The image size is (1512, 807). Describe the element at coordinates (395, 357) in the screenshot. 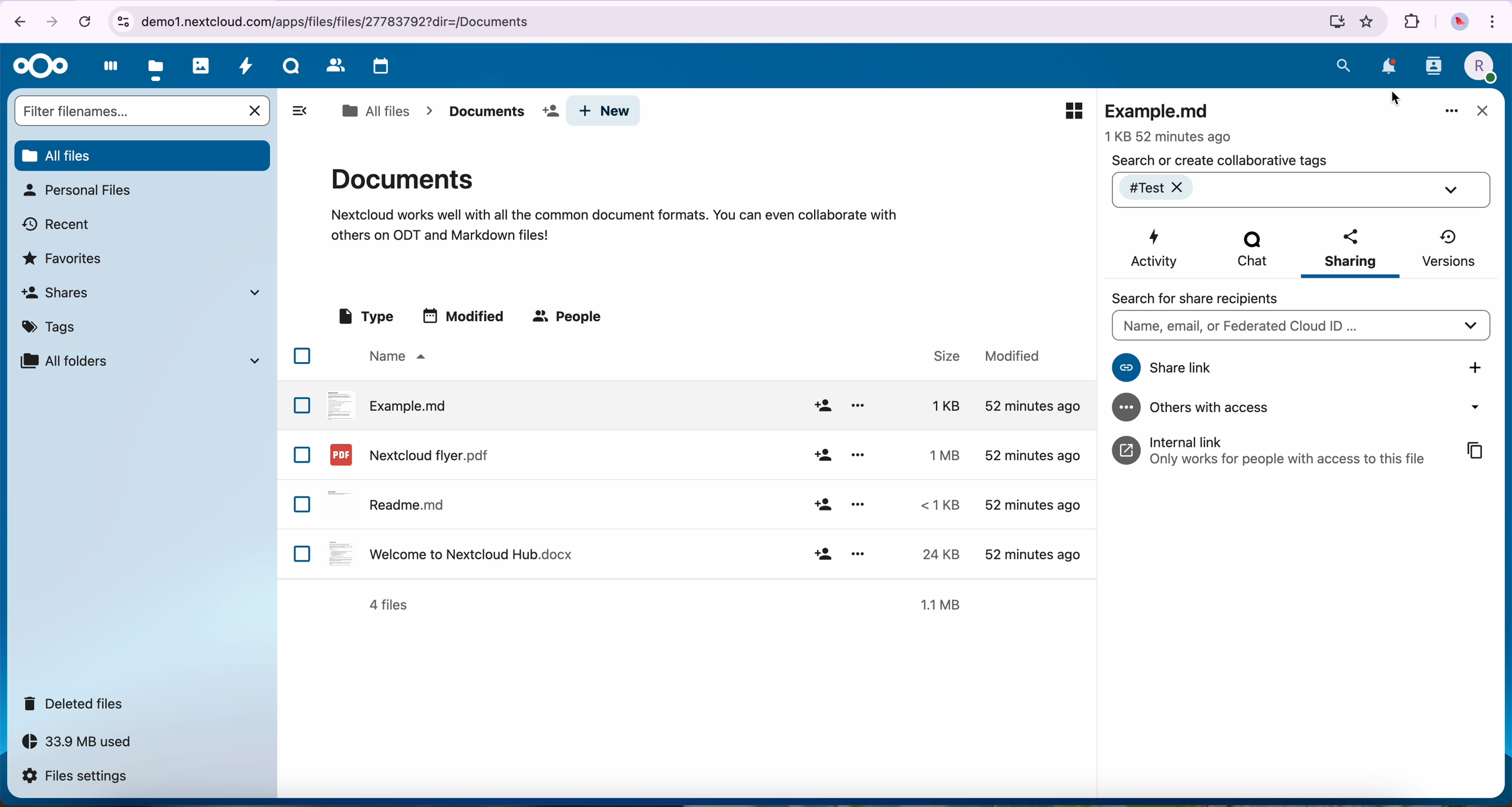

I see `name` at that location.